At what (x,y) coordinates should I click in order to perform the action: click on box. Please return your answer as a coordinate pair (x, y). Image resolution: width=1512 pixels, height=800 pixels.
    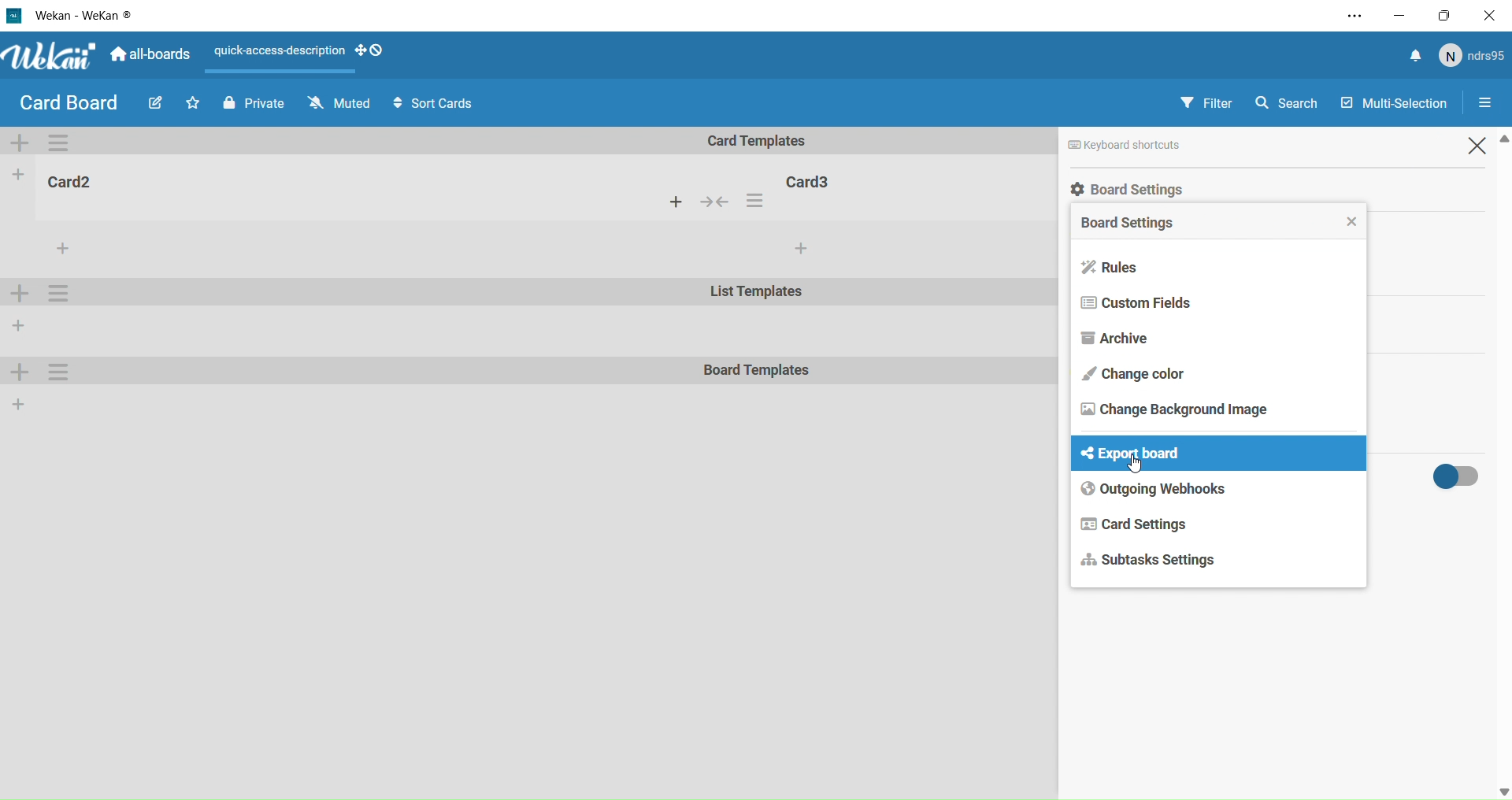
    Looking at the image, I should click on (1449, 15).